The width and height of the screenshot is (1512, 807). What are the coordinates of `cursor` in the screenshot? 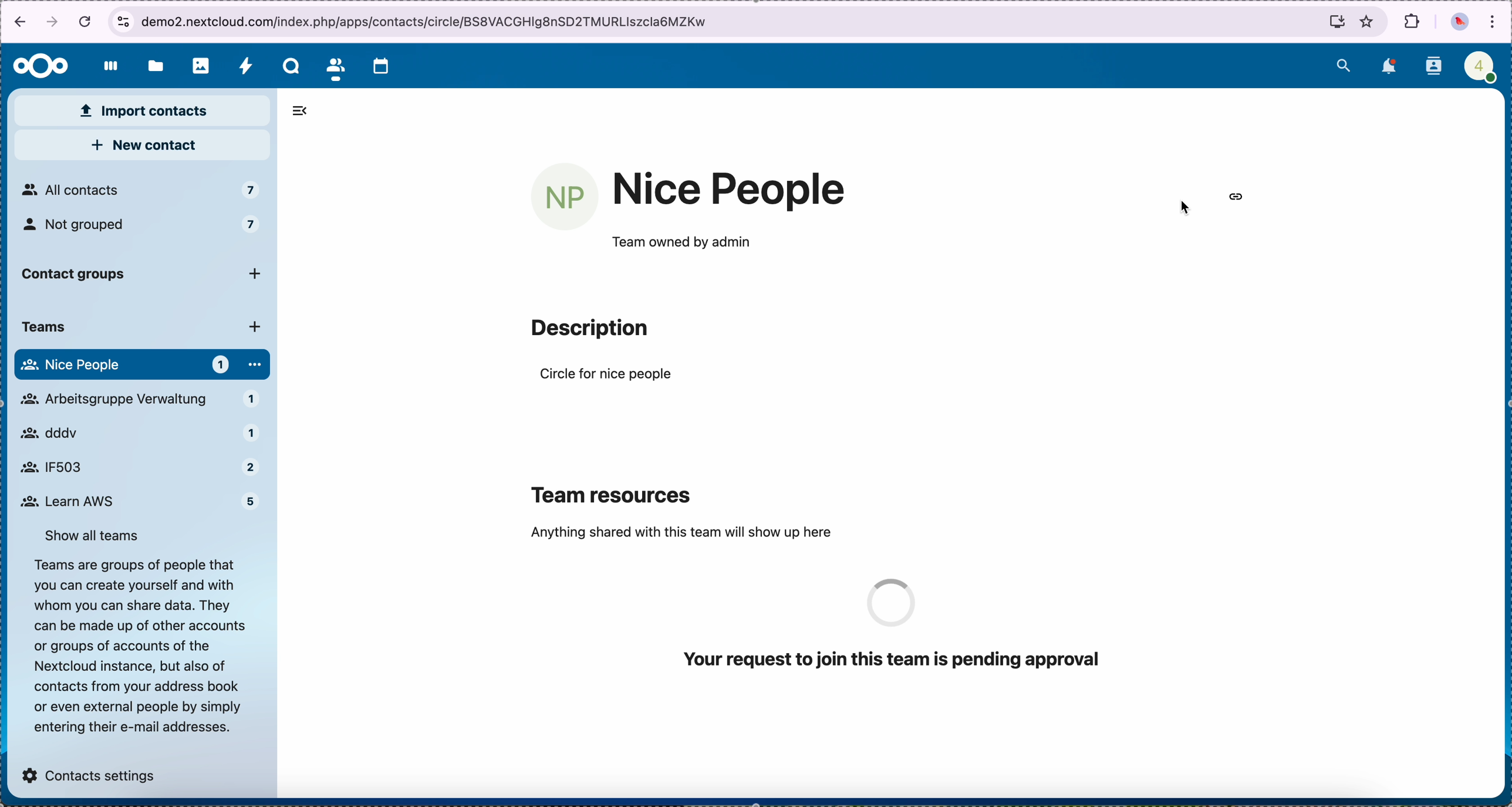 It's located at (1187, 207).